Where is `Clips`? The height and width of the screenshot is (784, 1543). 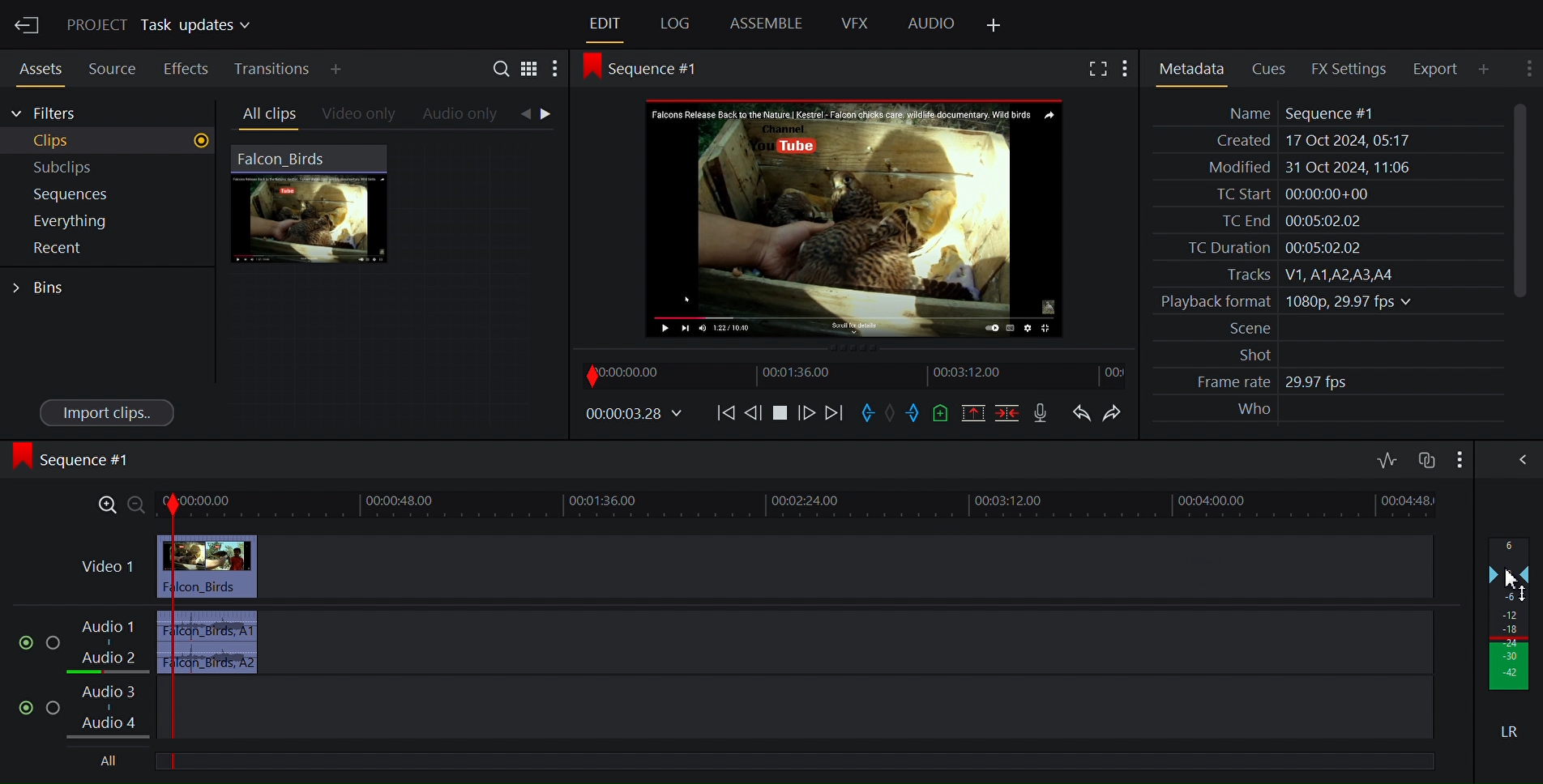
Clips is located at coordinates (107, 141).